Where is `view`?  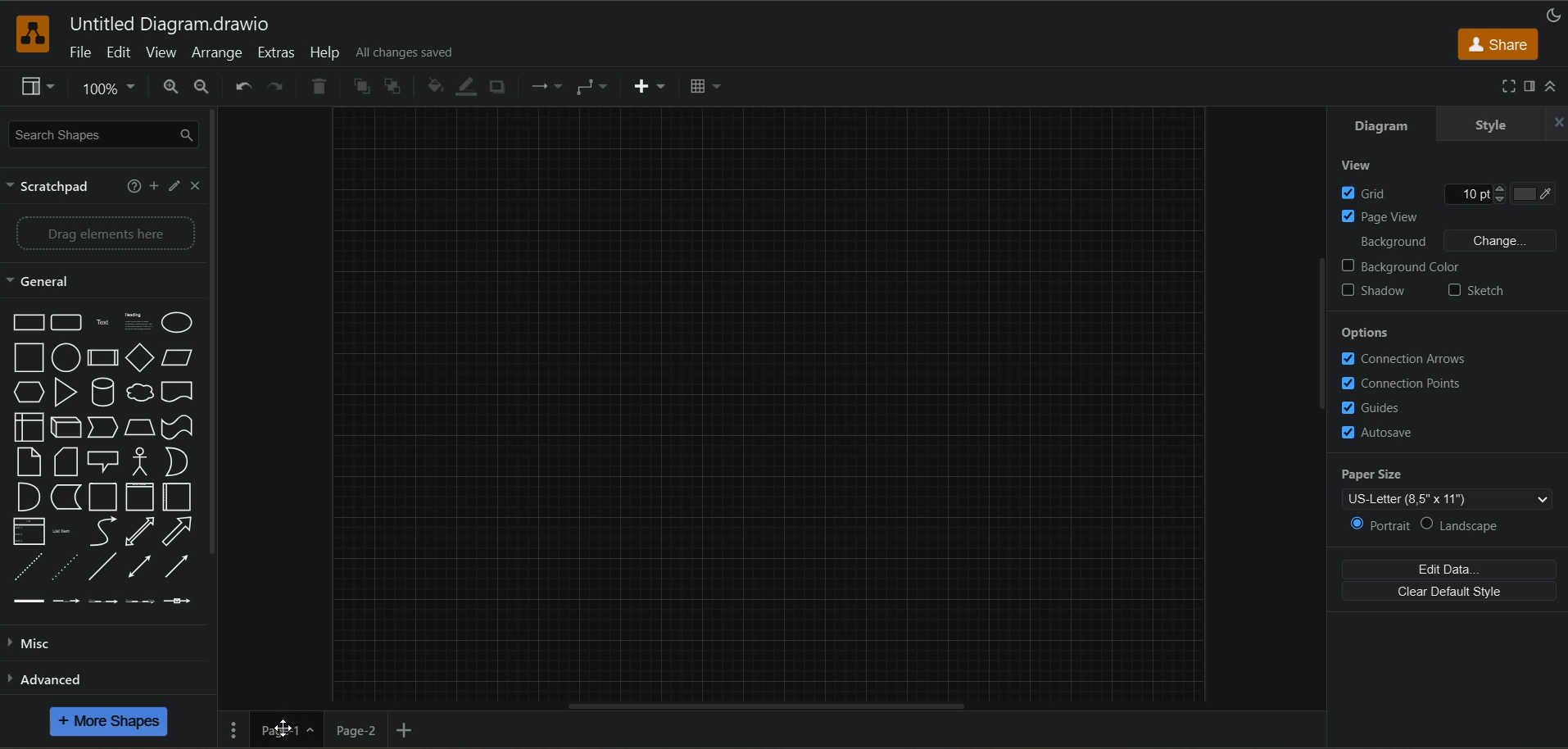 view is located at coordinates (38, 86).